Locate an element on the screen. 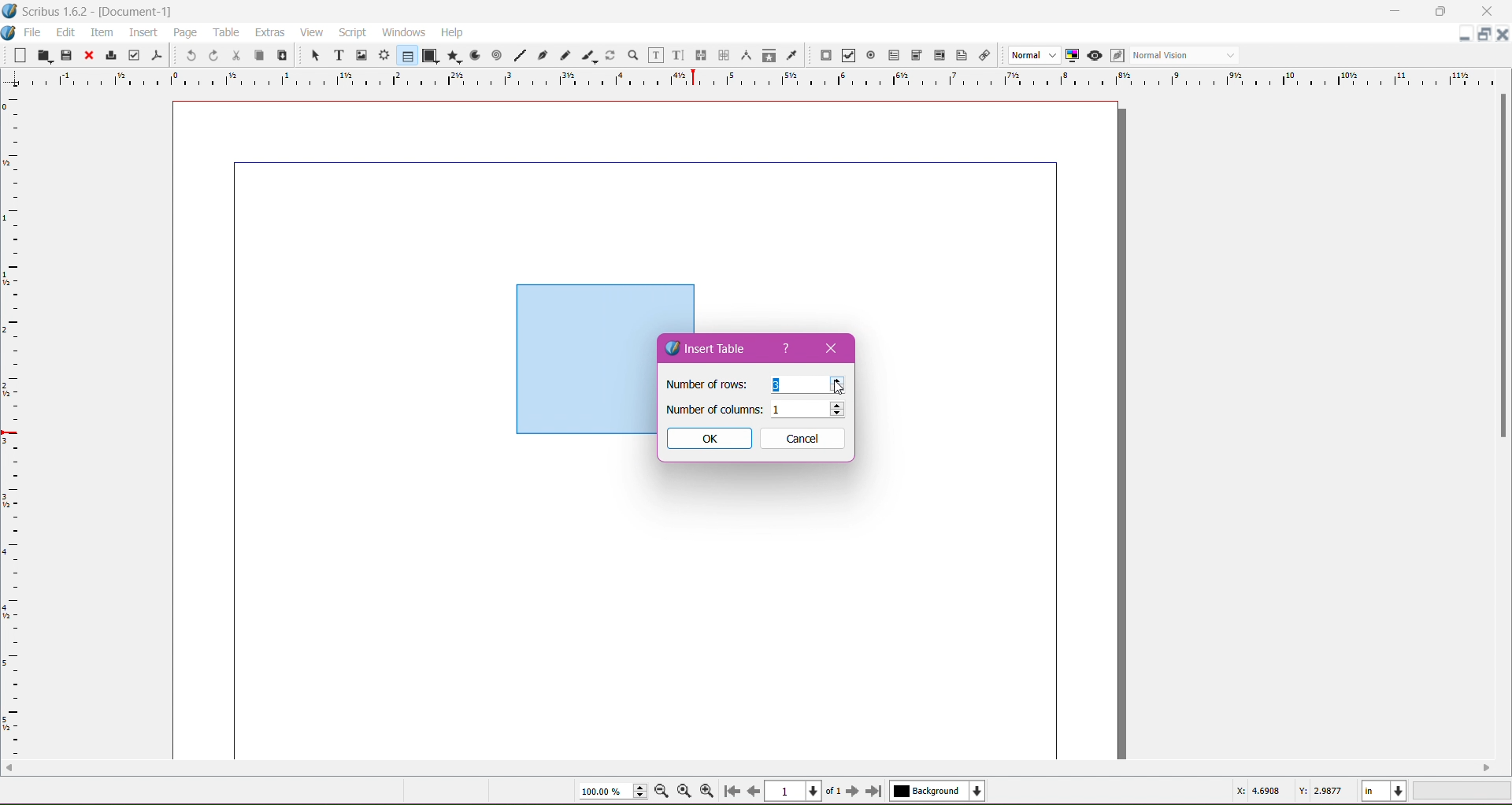 The image size is (1512, 805). Extras is located at coordinates (270, 32).